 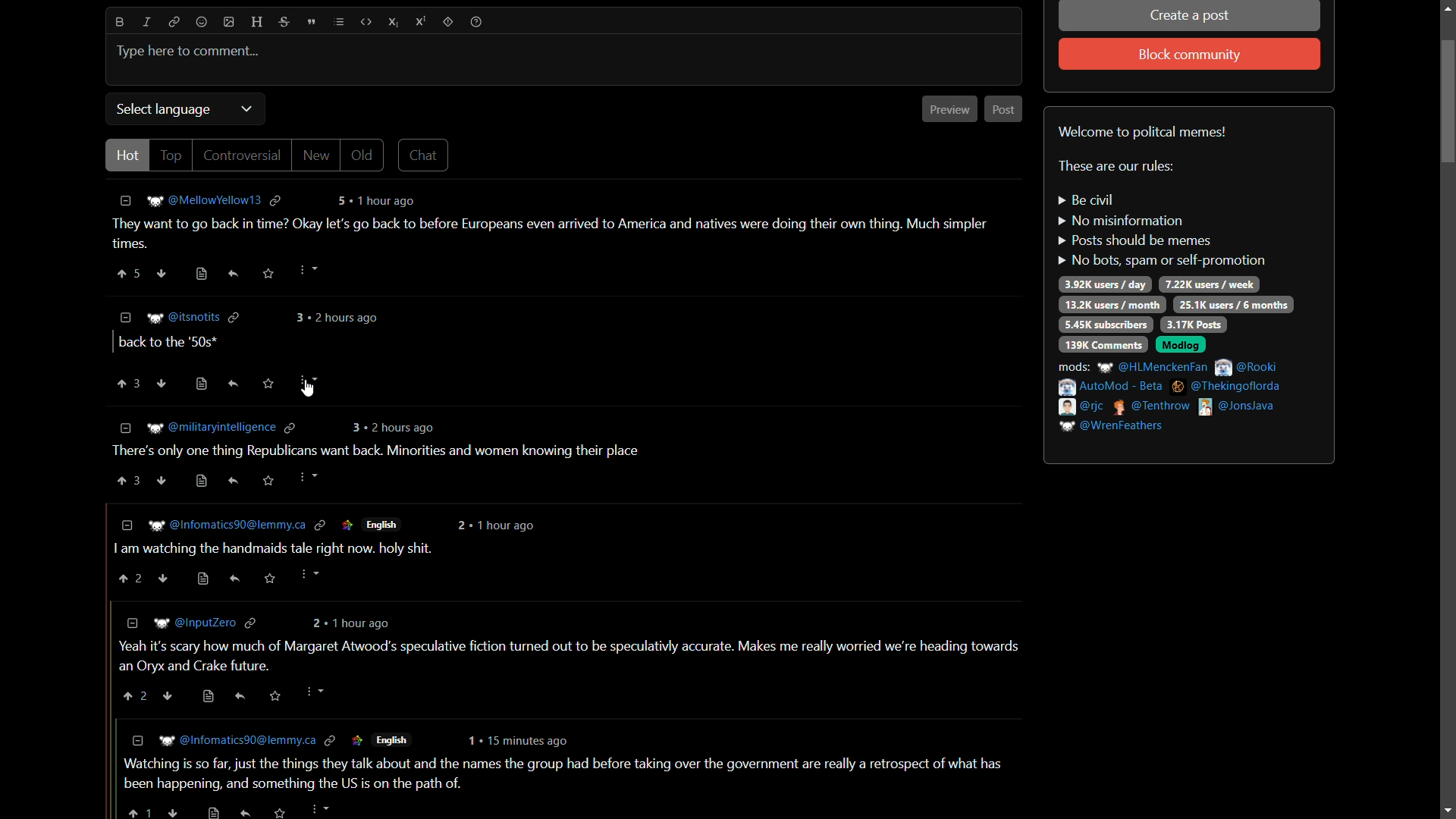 I want to click on view source, so click(x=199, y=384).